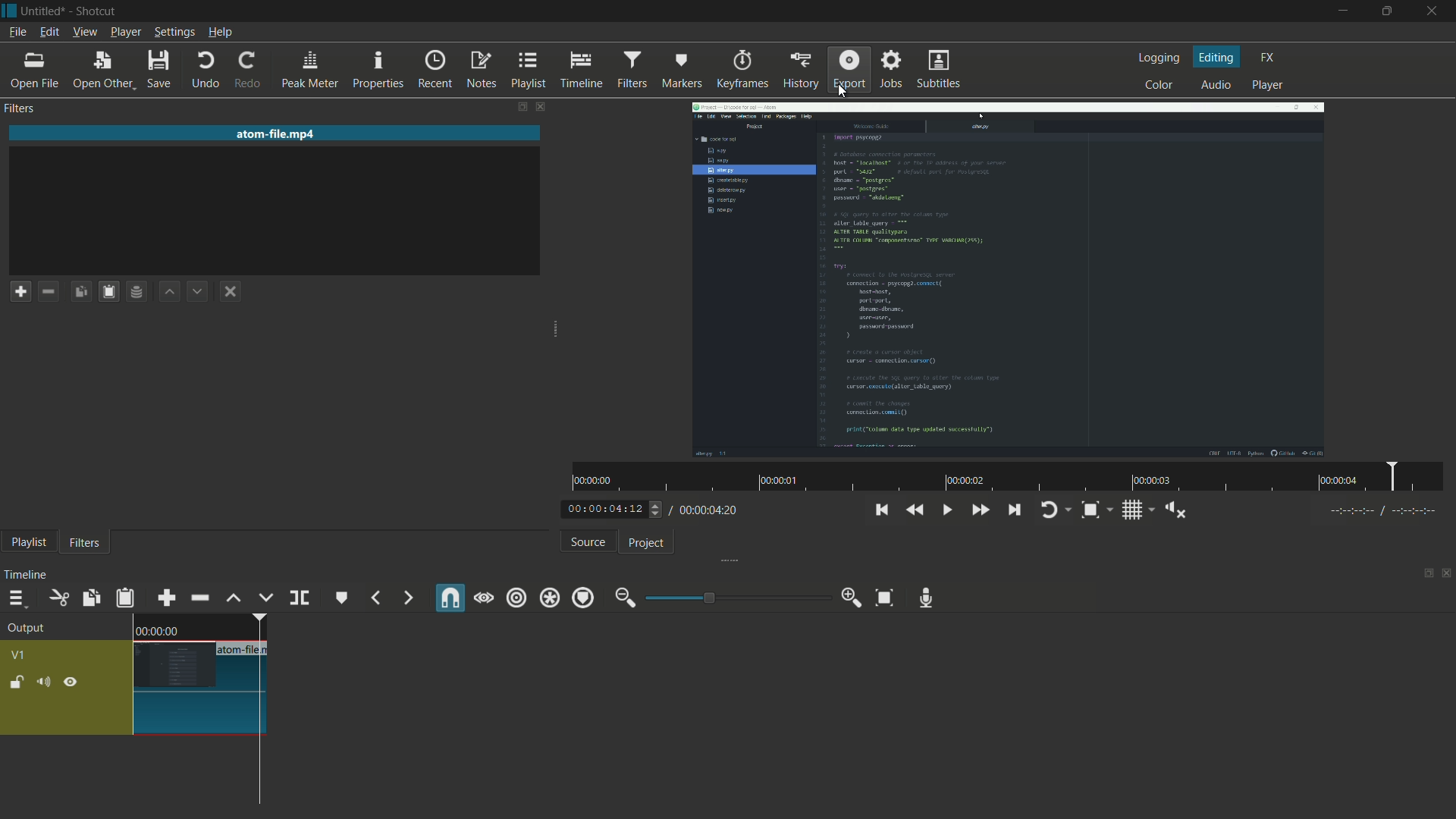  What do you see at coordinates (52, 291) in the screenshot?
I see `remove filter` at bounding box center [52, 291].